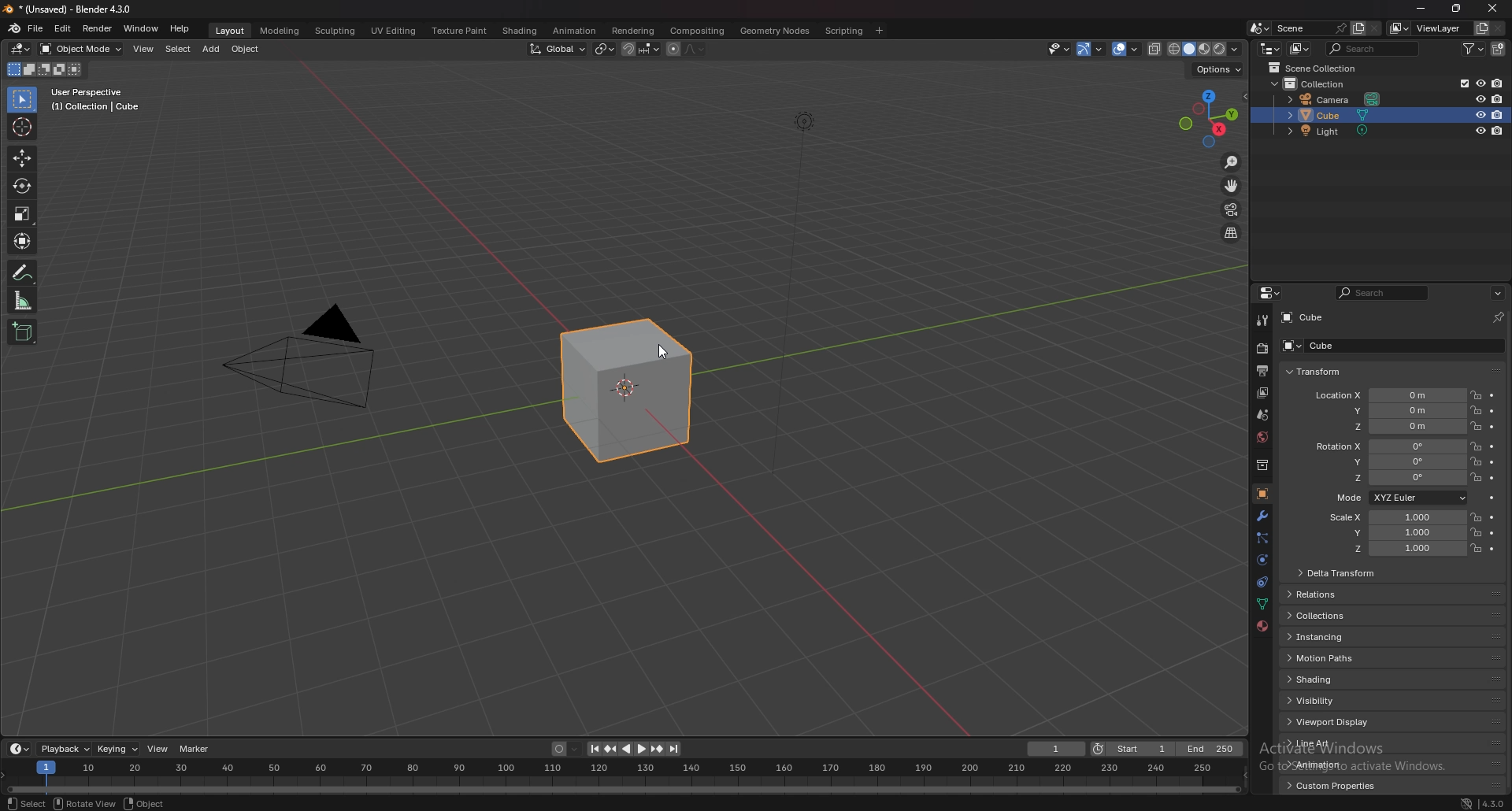 Image resolution: width=1512 pixels, height=811 pixels. I want to click on add workspace, so click(880, 31).